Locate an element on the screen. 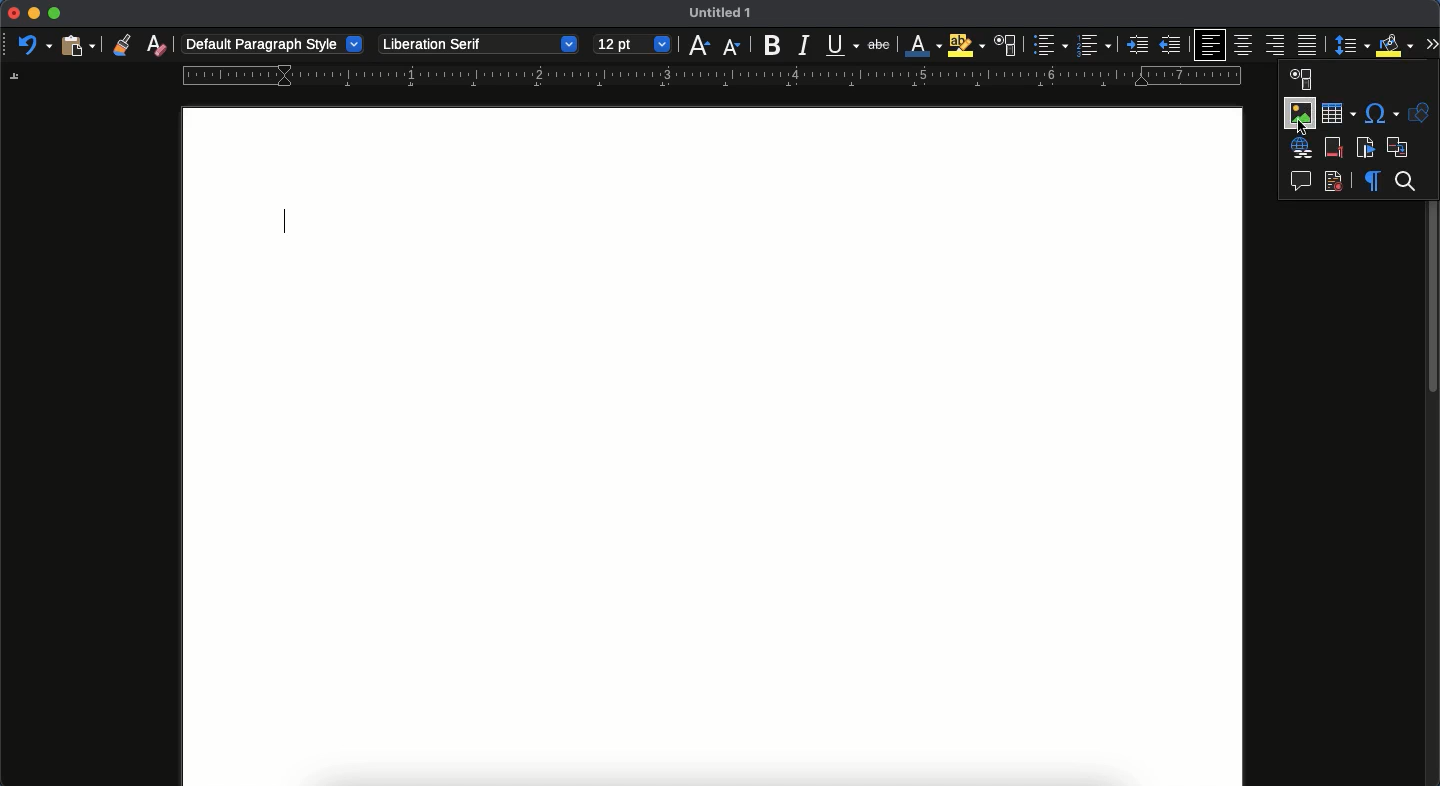 The width and height of the screenshot is (1440, 786). special character is located at coordinates (1381, 112).